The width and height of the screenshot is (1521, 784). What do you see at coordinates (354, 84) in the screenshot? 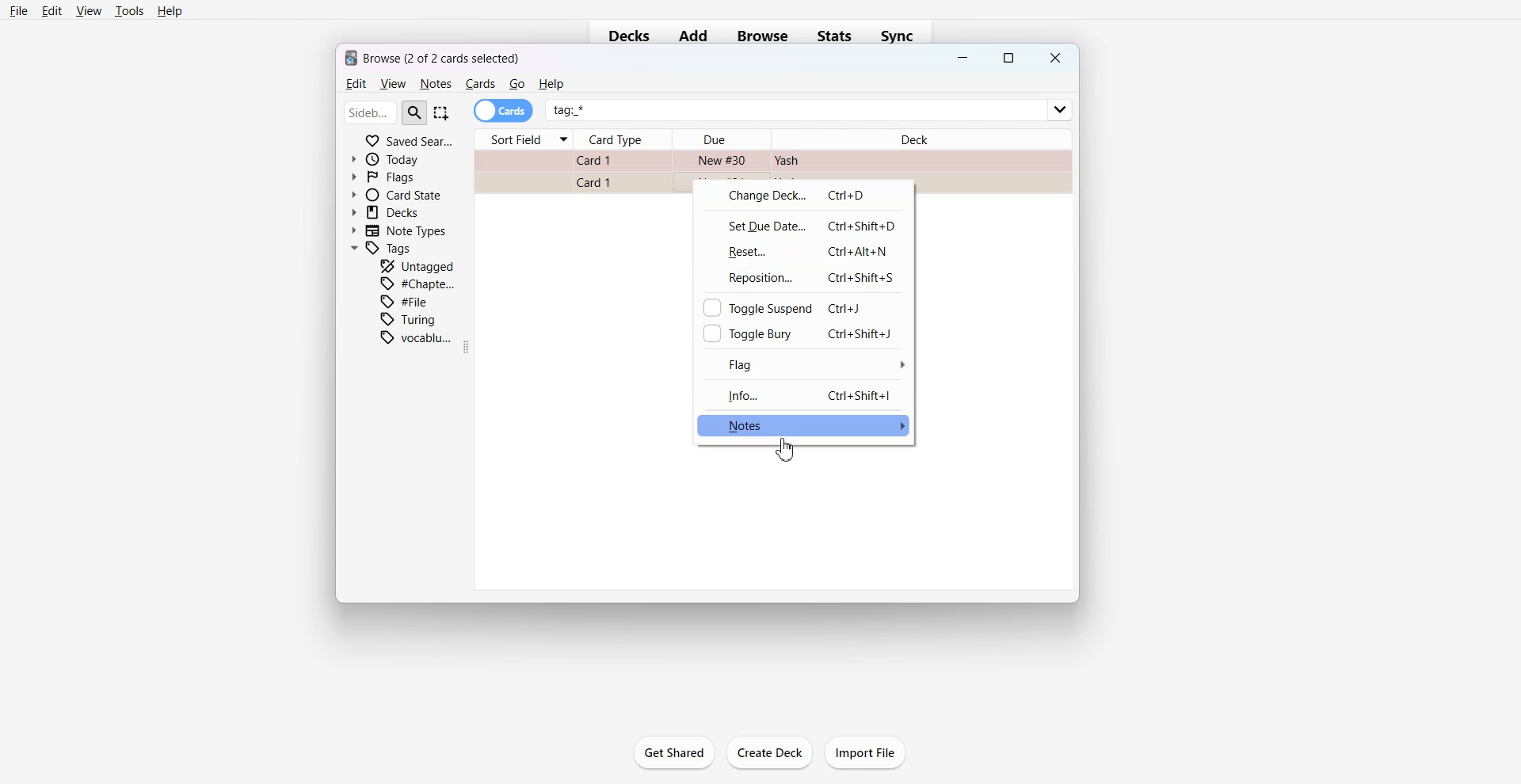
I see `Edit` at bounding box center [354, 84].